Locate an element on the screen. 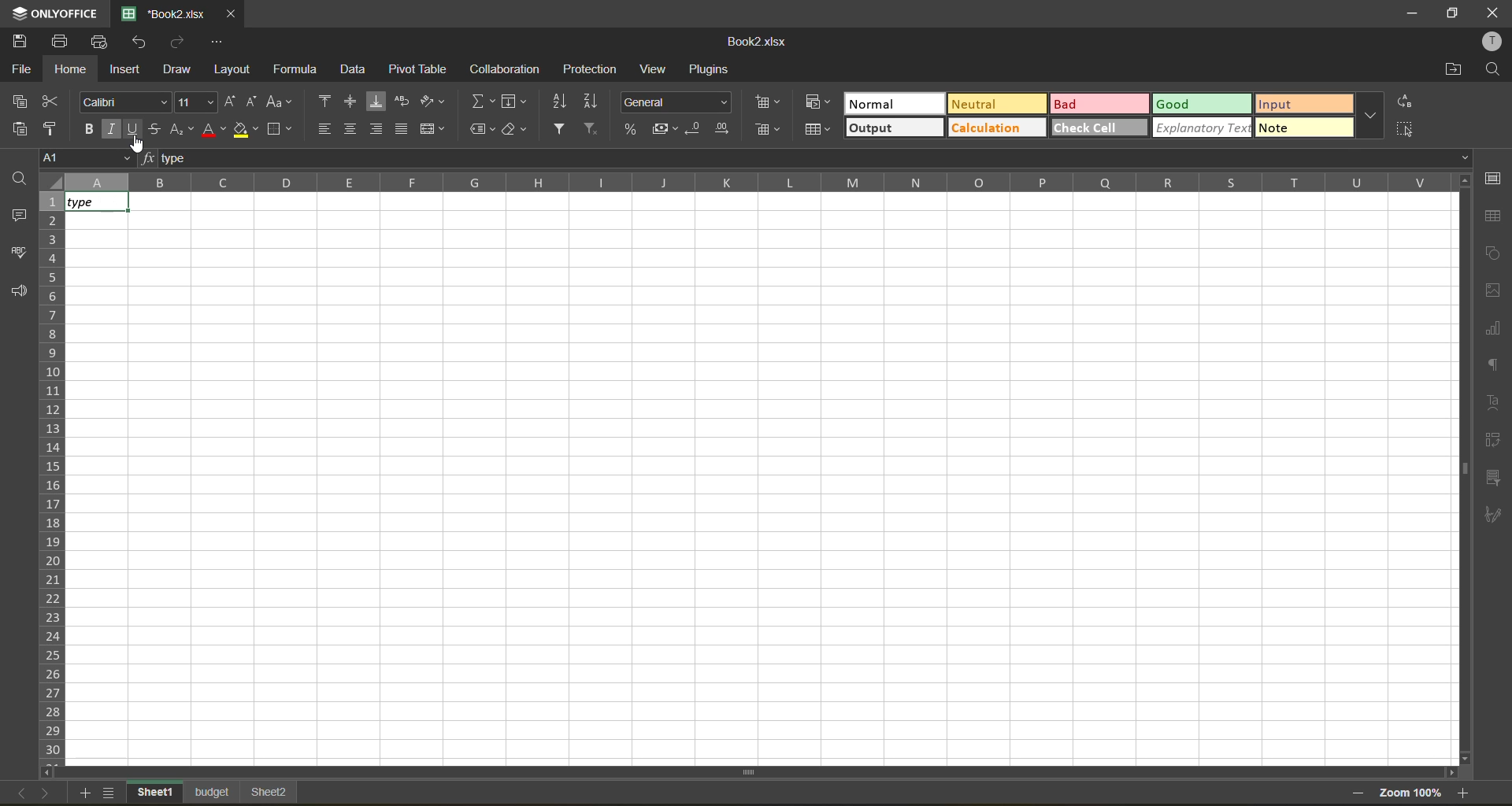 The height and width of the screenshot is (806, 1512). formula is located at coordinates (302, 70).